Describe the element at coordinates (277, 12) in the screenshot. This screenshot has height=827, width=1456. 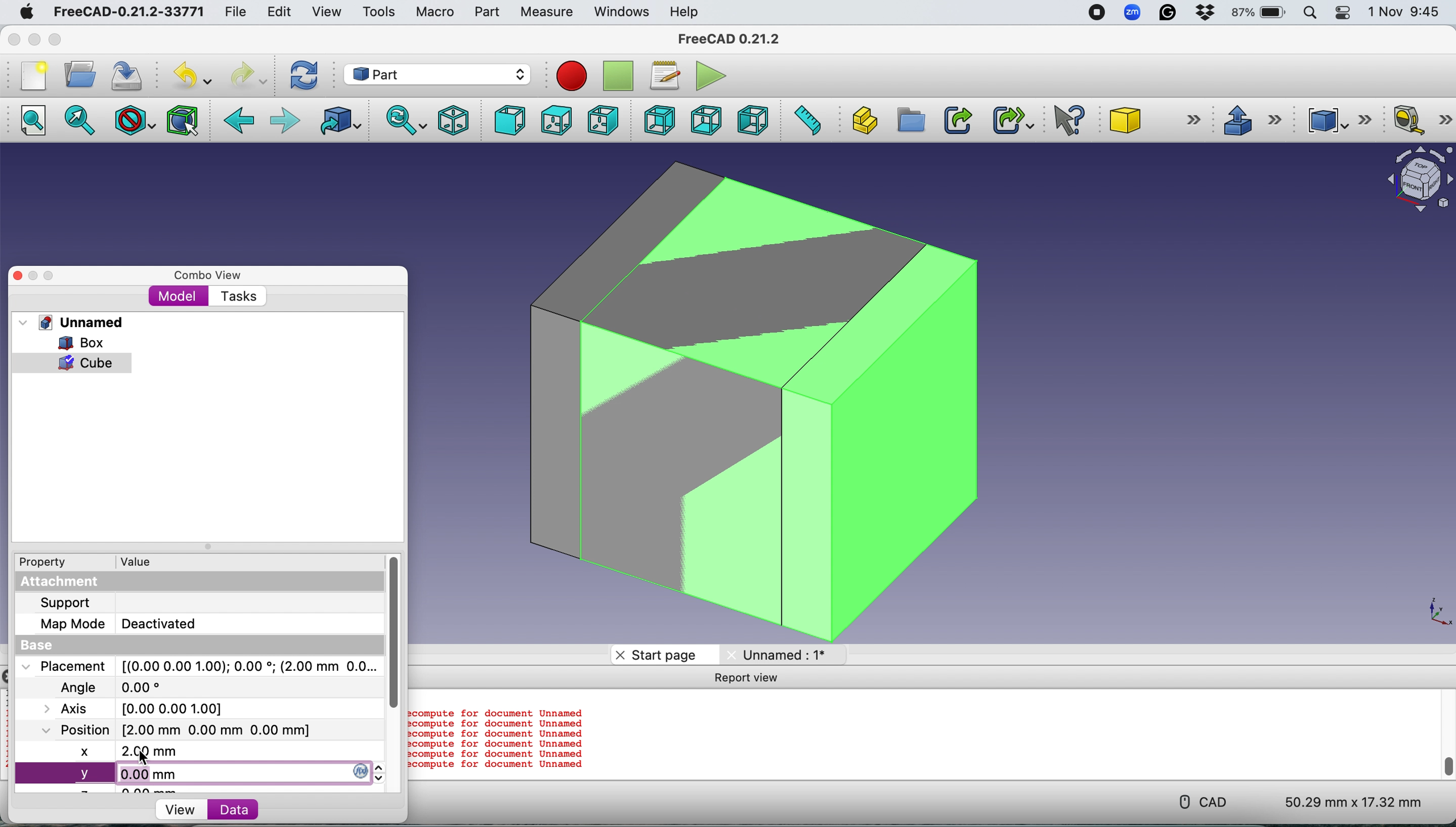
I see `Edit` at that location.